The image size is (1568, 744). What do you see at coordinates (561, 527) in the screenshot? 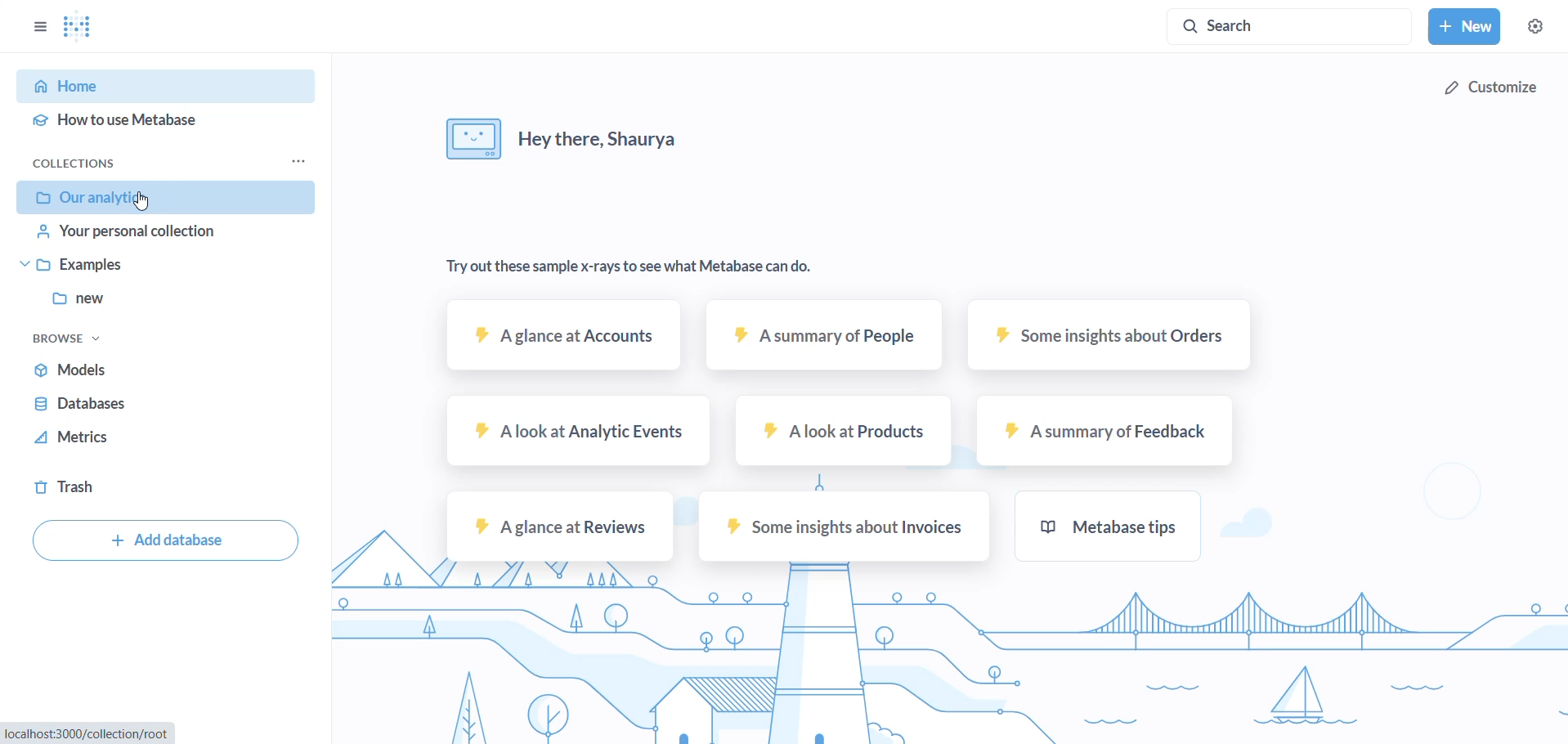
I see `A glance at reviews sample` at bounding box center [561, 527].